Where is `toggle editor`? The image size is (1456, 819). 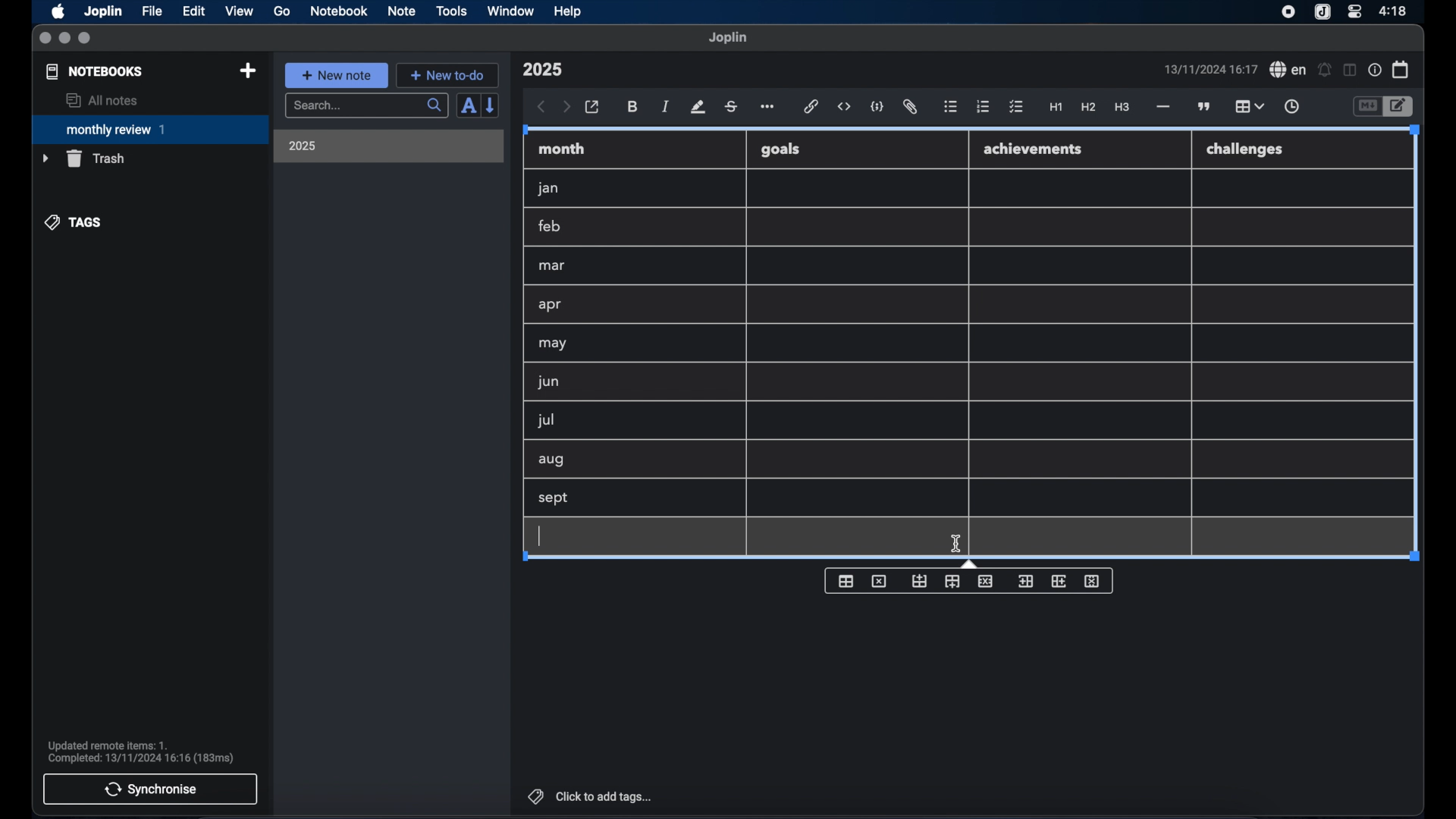
toggle editor is located at coordinates (1401, 107).